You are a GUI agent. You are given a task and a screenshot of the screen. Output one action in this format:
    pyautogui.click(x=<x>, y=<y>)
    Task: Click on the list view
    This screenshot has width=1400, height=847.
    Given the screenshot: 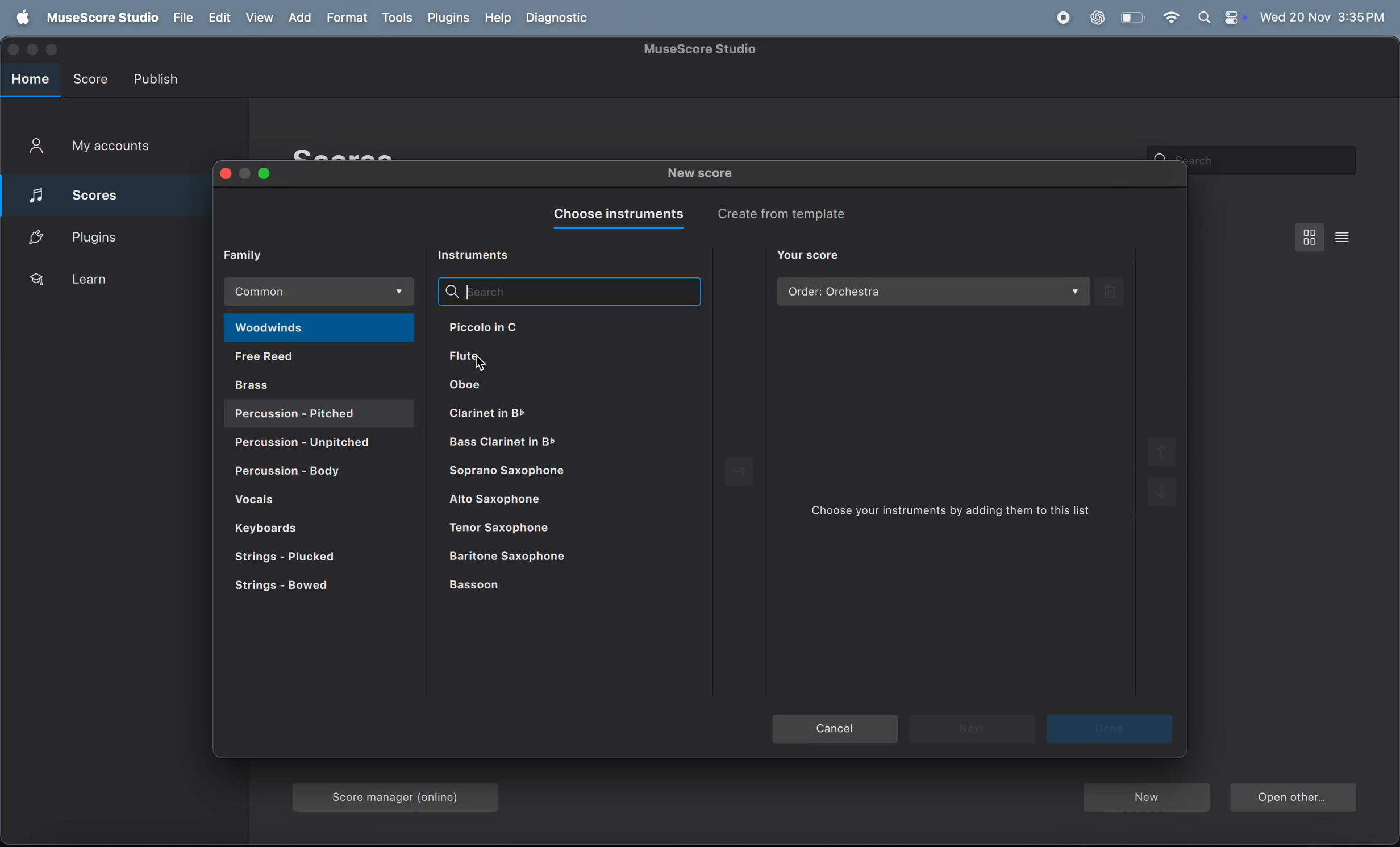 What is the action you would take?
    pyautogui.click(x=1346, y=236)
    